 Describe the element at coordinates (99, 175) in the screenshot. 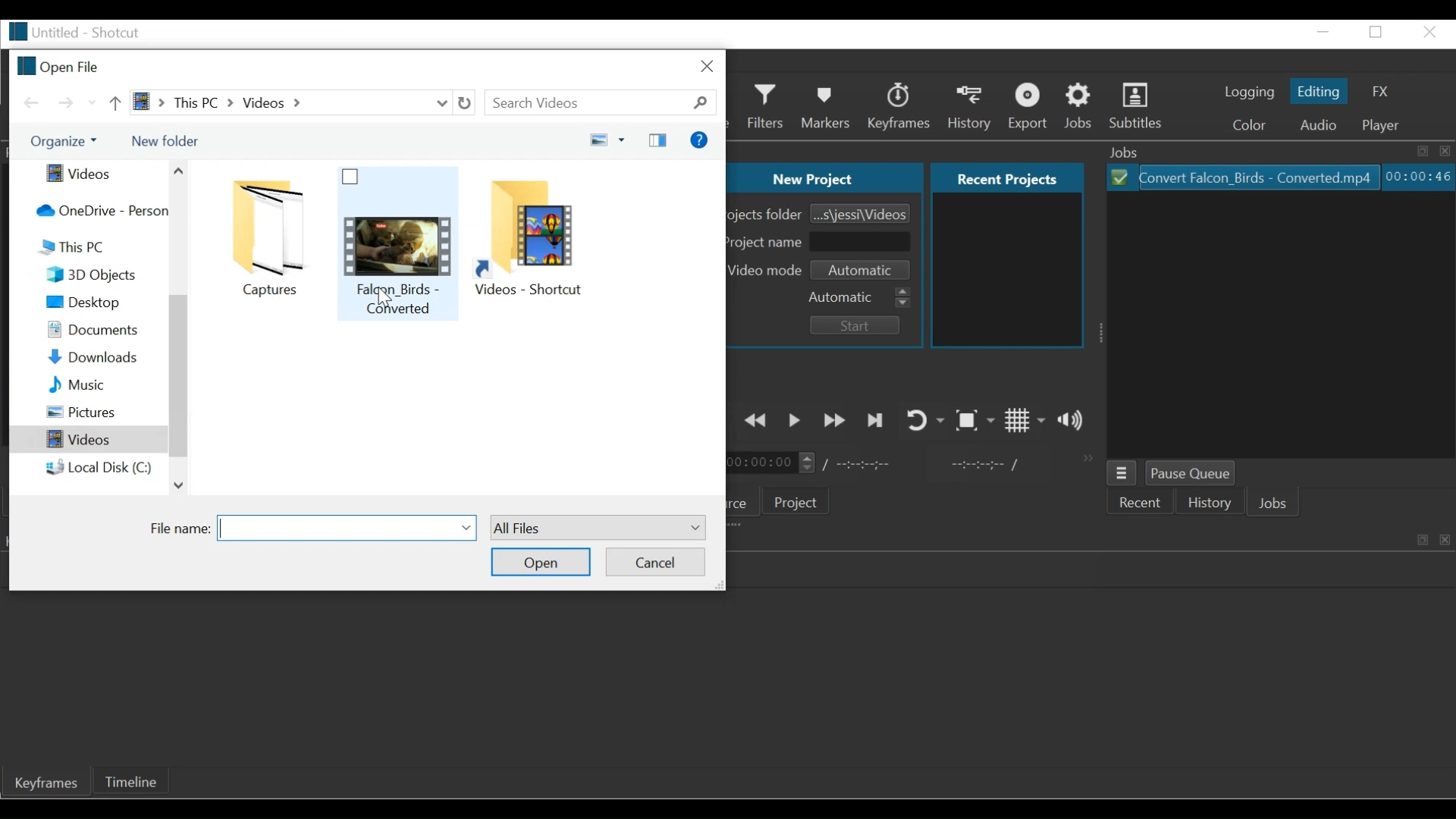

I see `Videos` at that location.